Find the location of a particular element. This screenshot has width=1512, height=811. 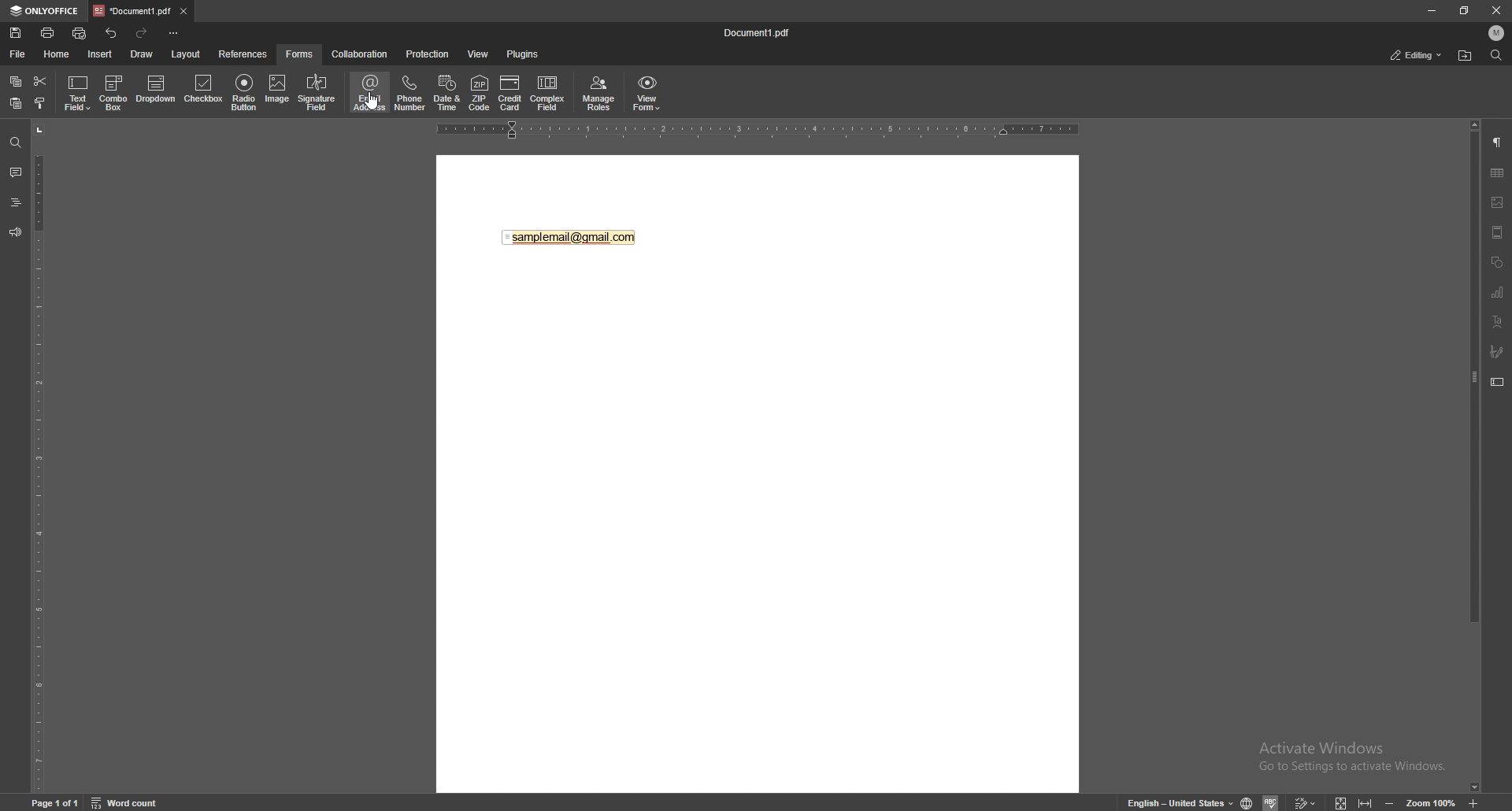

cut is located at coordinates (40, 80).